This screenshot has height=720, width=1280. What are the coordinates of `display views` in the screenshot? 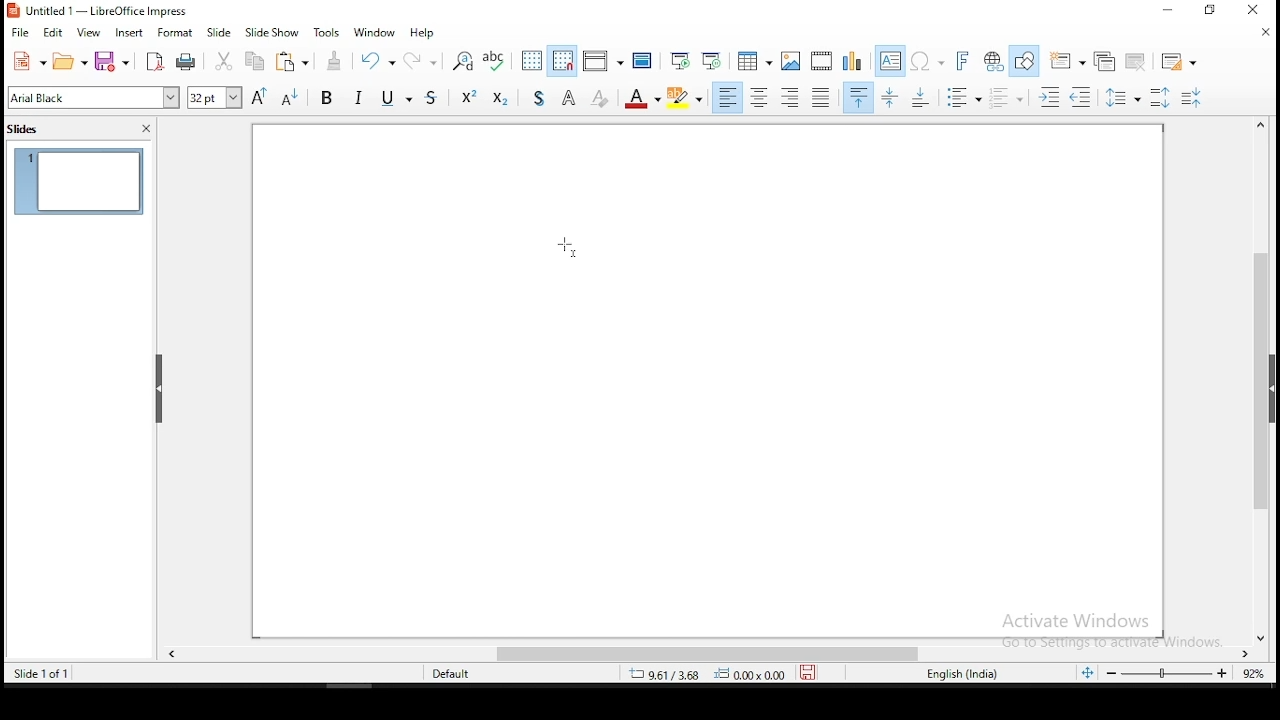 It's located at (603, 60).